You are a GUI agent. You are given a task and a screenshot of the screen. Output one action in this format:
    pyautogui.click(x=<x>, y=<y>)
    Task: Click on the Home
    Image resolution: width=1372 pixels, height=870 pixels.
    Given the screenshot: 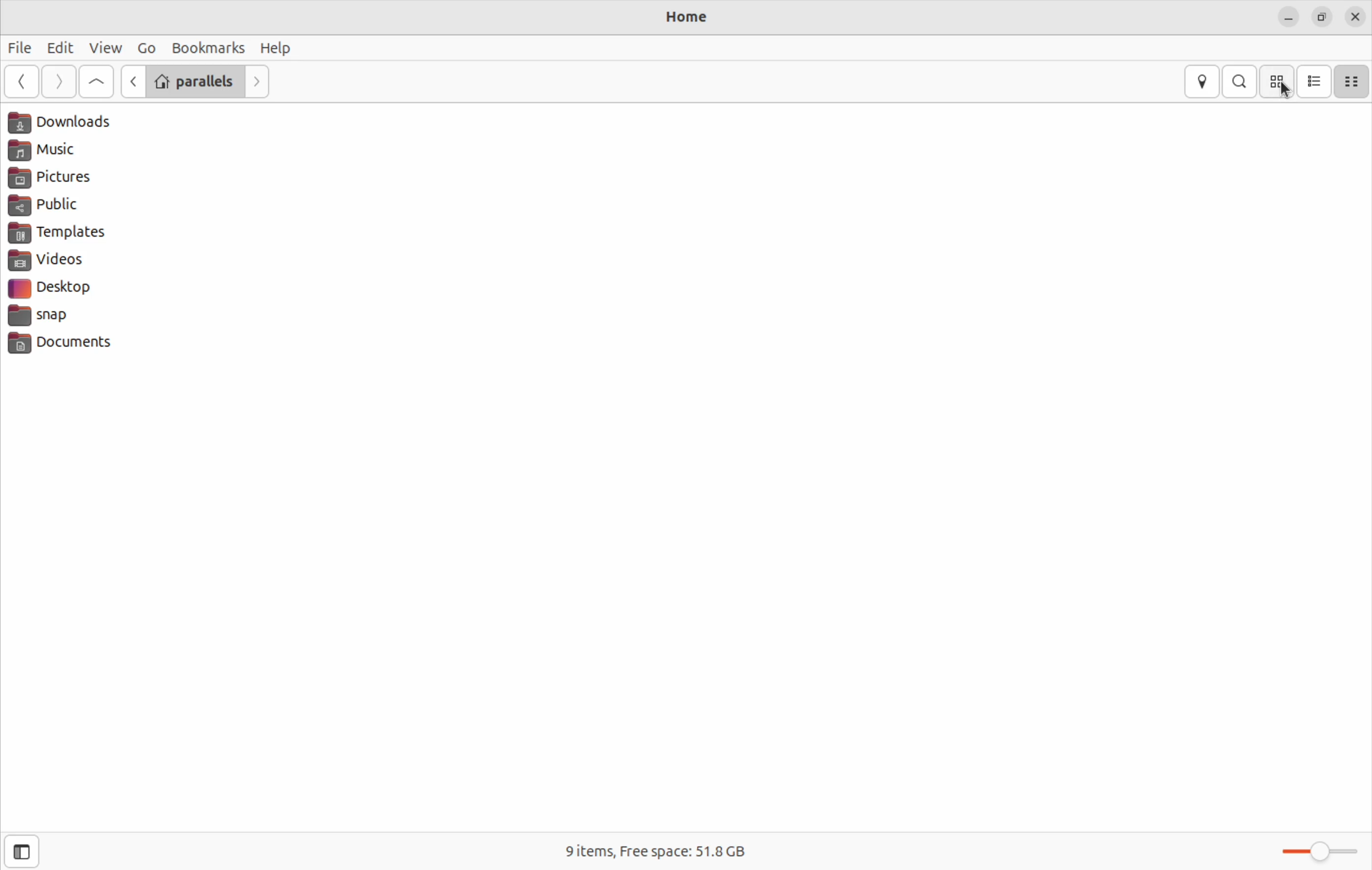 What is the action you would take?
    pyautogui.click(x=687, y=17)
    